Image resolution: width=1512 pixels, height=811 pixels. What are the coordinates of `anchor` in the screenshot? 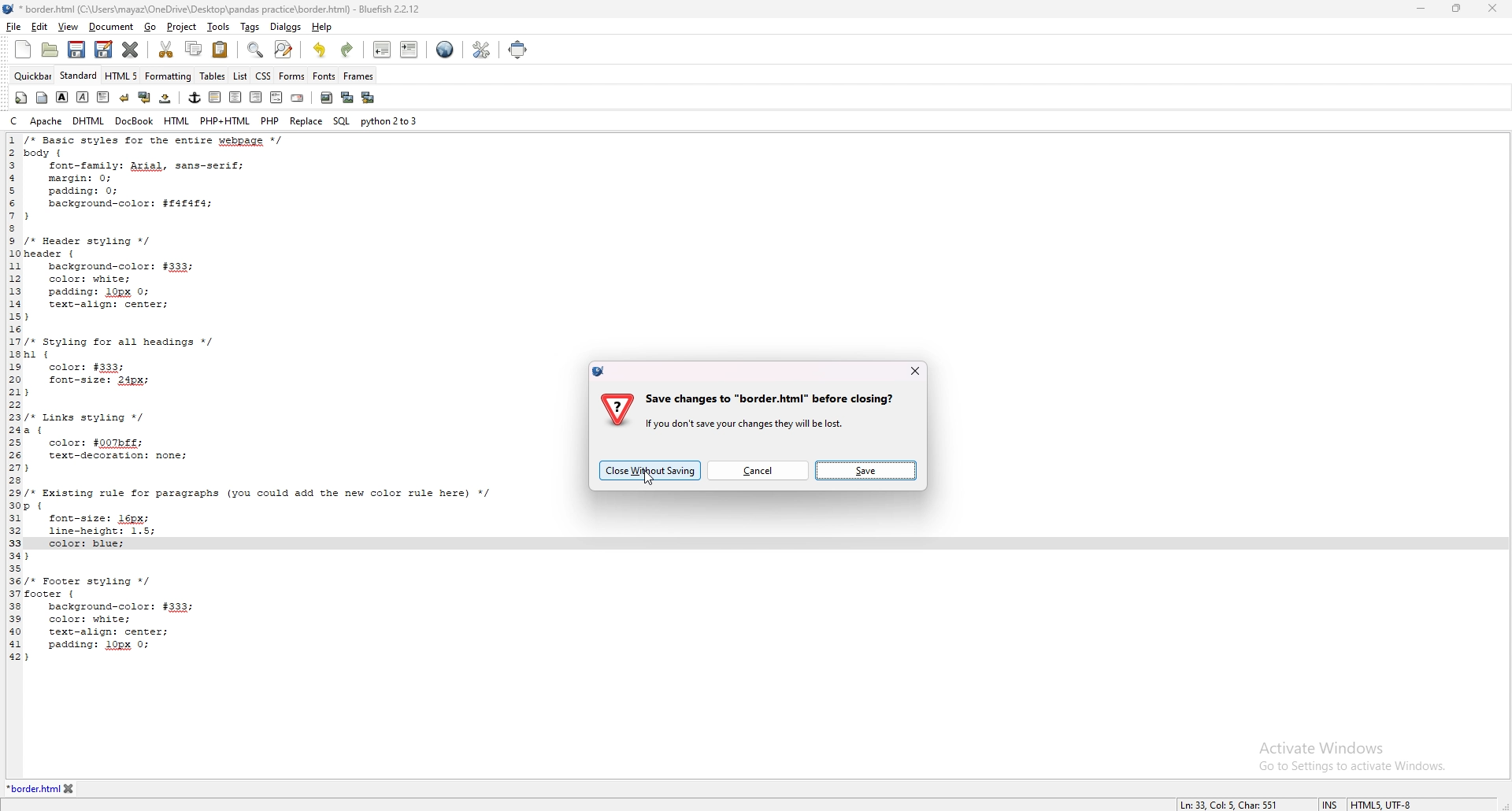 It's located at (195, 97).